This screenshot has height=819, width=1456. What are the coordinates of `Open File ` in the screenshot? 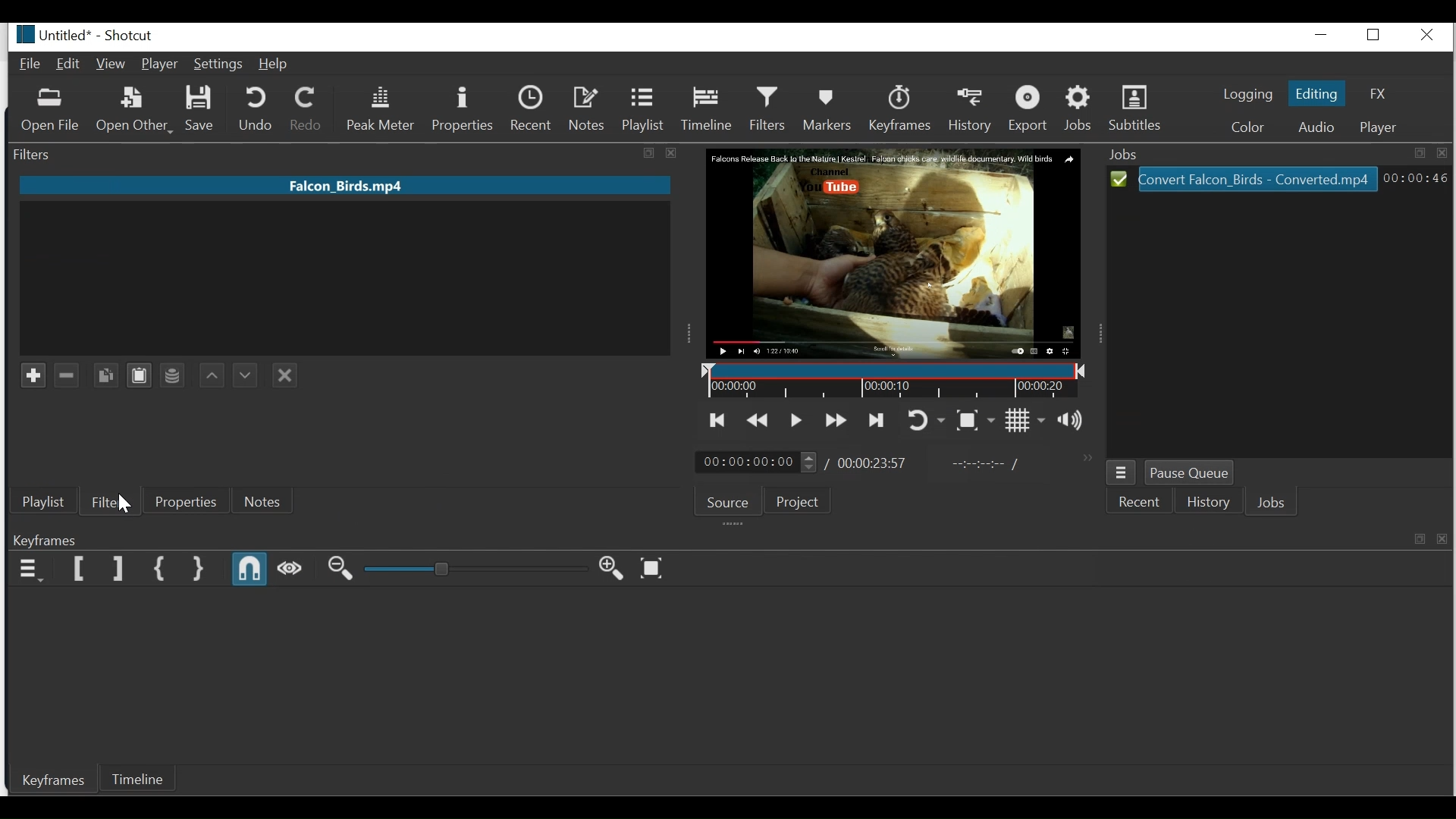 It's located at (52, 111).